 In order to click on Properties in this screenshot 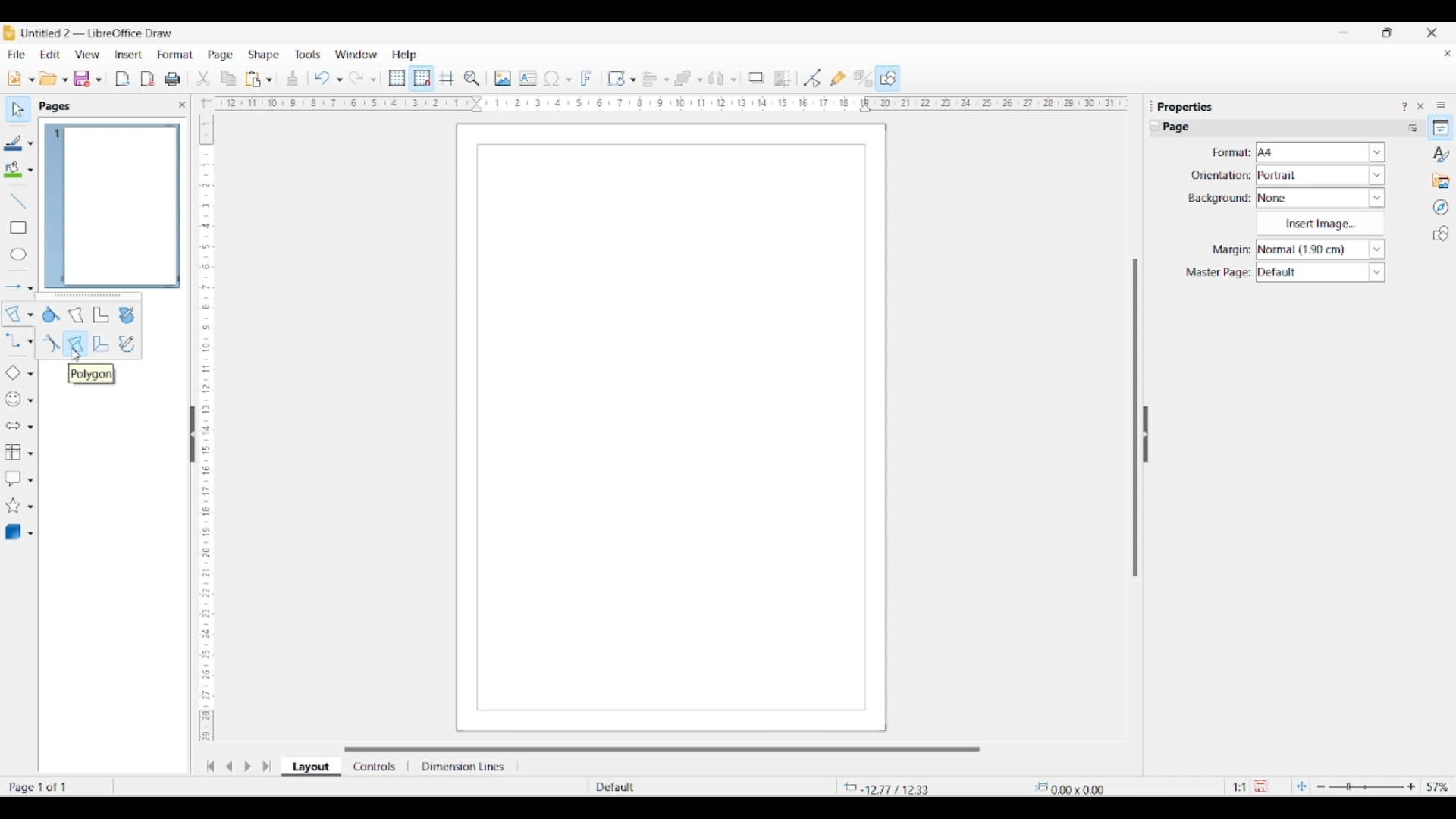, I will do `click(1441, 127)`.